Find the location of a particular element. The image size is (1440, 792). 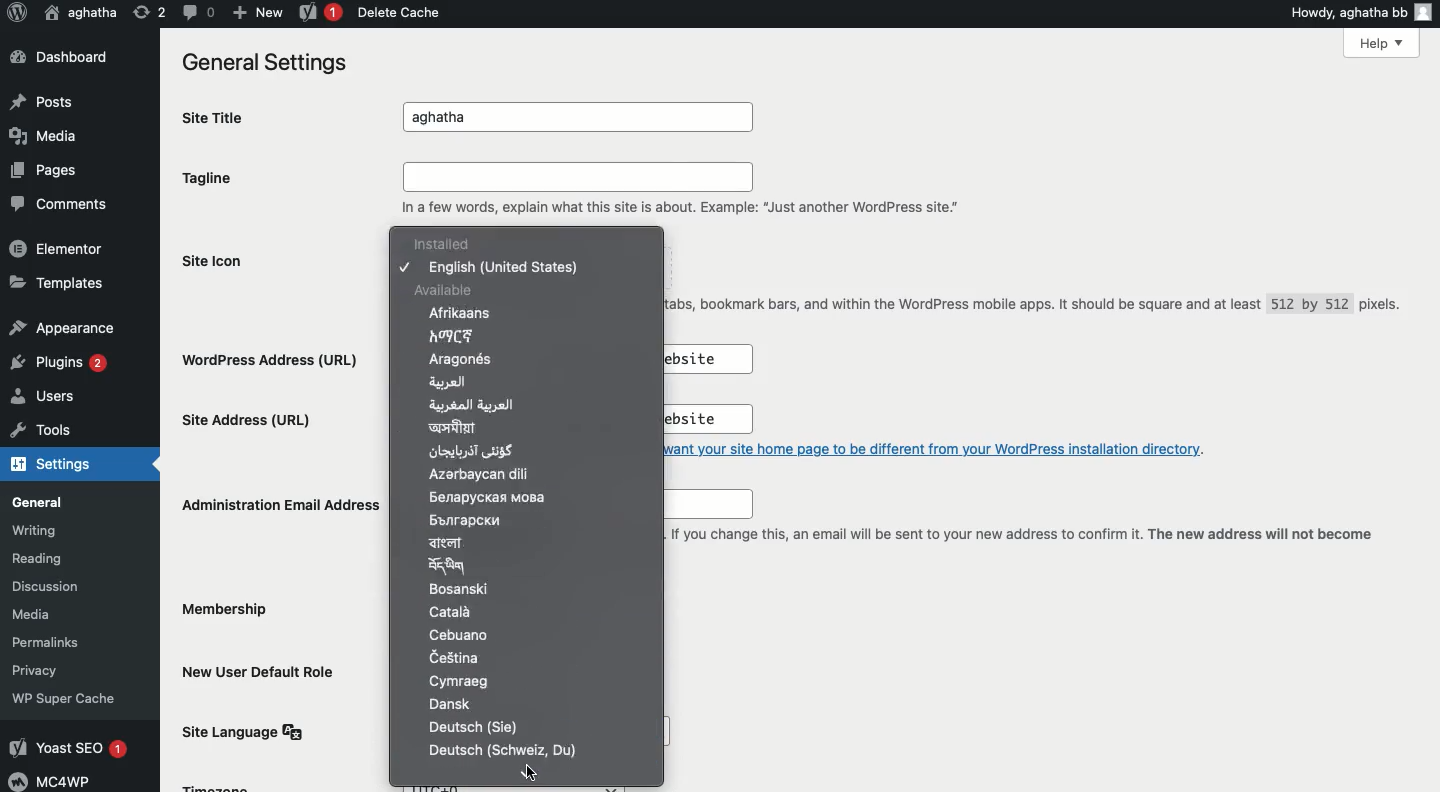

Help is located at coordinates (1383, 44).